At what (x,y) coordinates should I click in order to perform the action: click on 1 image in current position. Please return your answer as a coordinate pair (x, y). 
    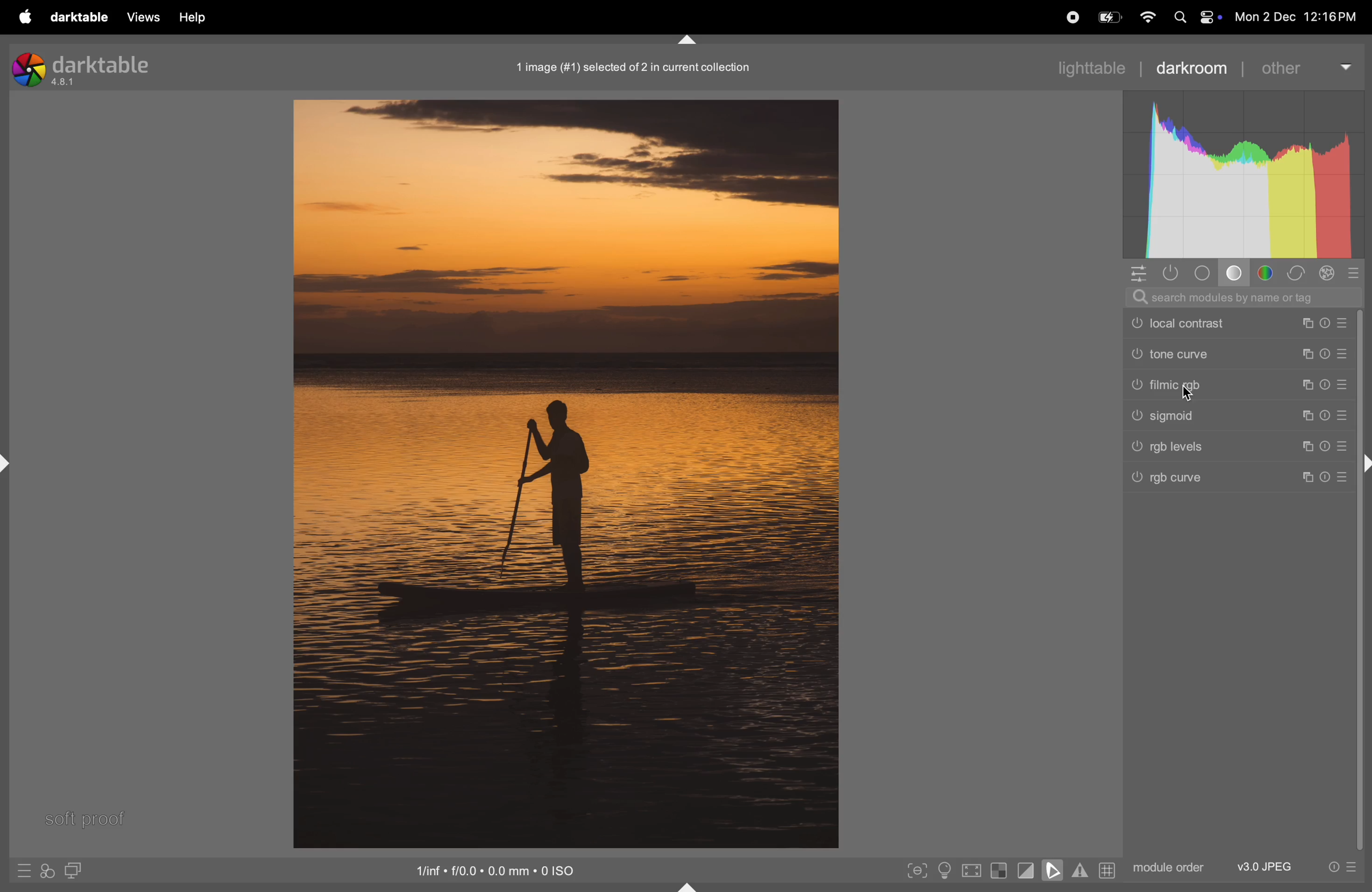
    Looking at the image, I should click on (630, 66).